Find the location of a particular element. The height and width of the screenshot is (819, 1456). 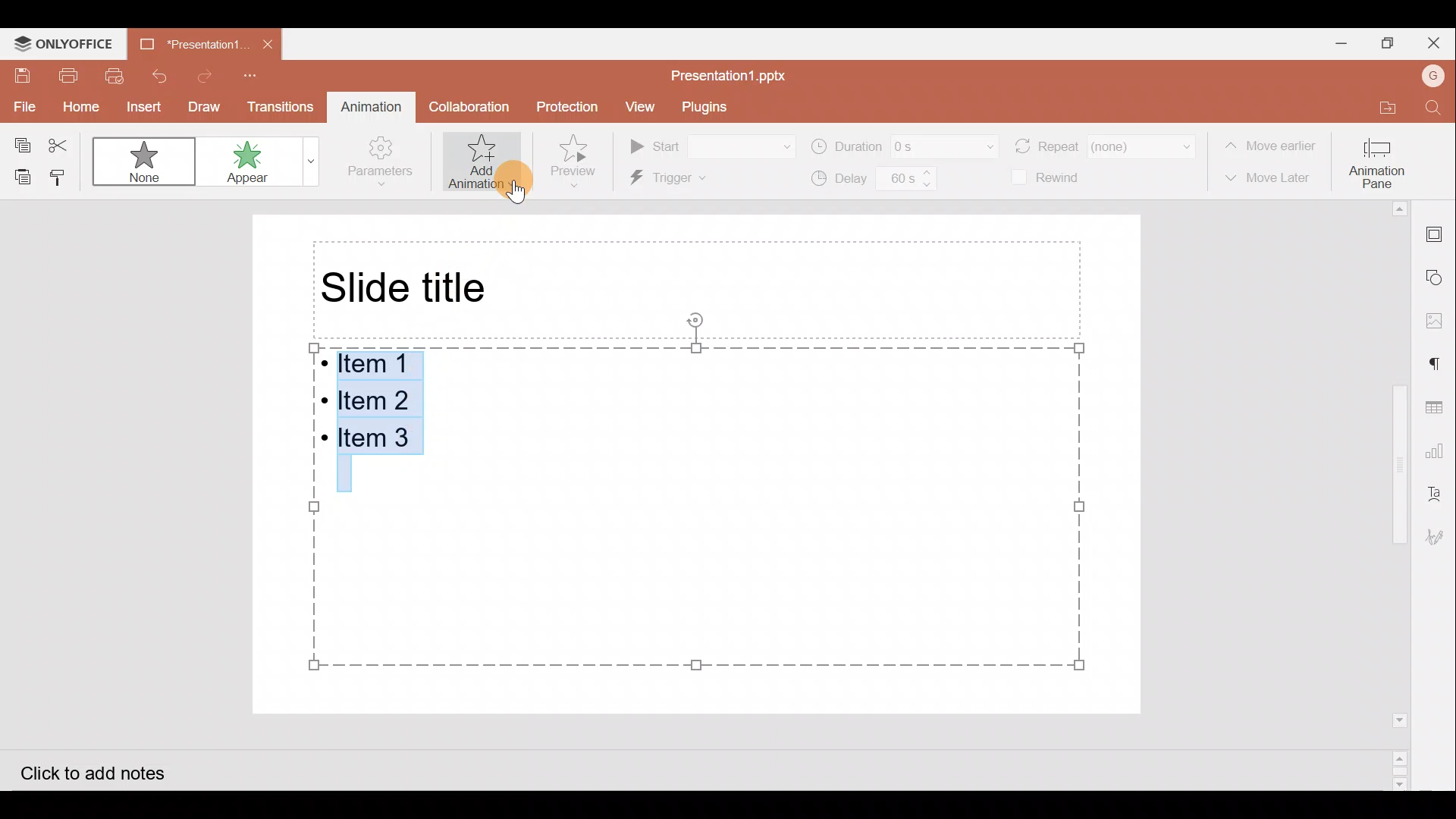

Presentation1. is located at coordinates (190, 43).